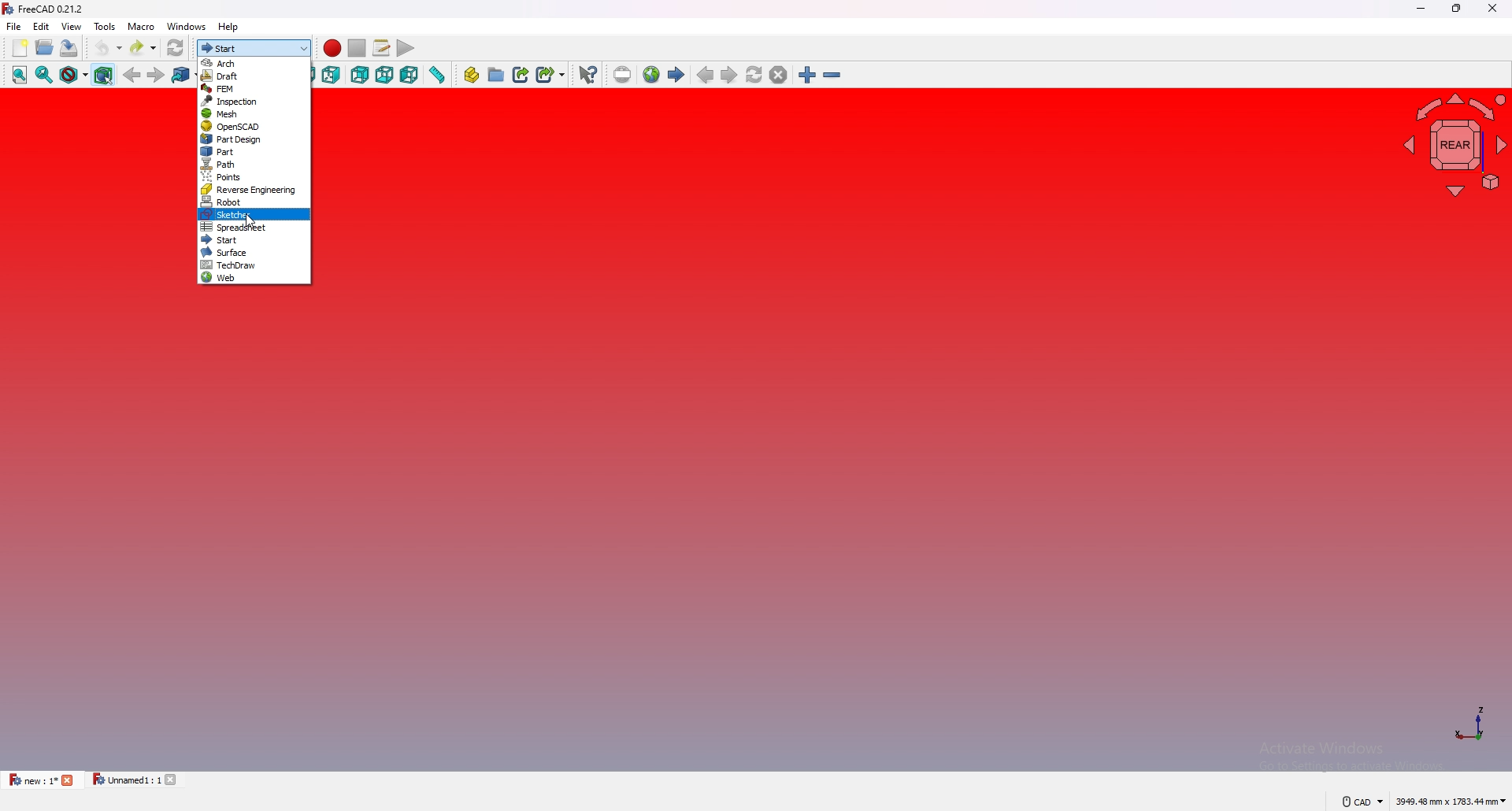  I want to click on fit selection, so click(44, 74).